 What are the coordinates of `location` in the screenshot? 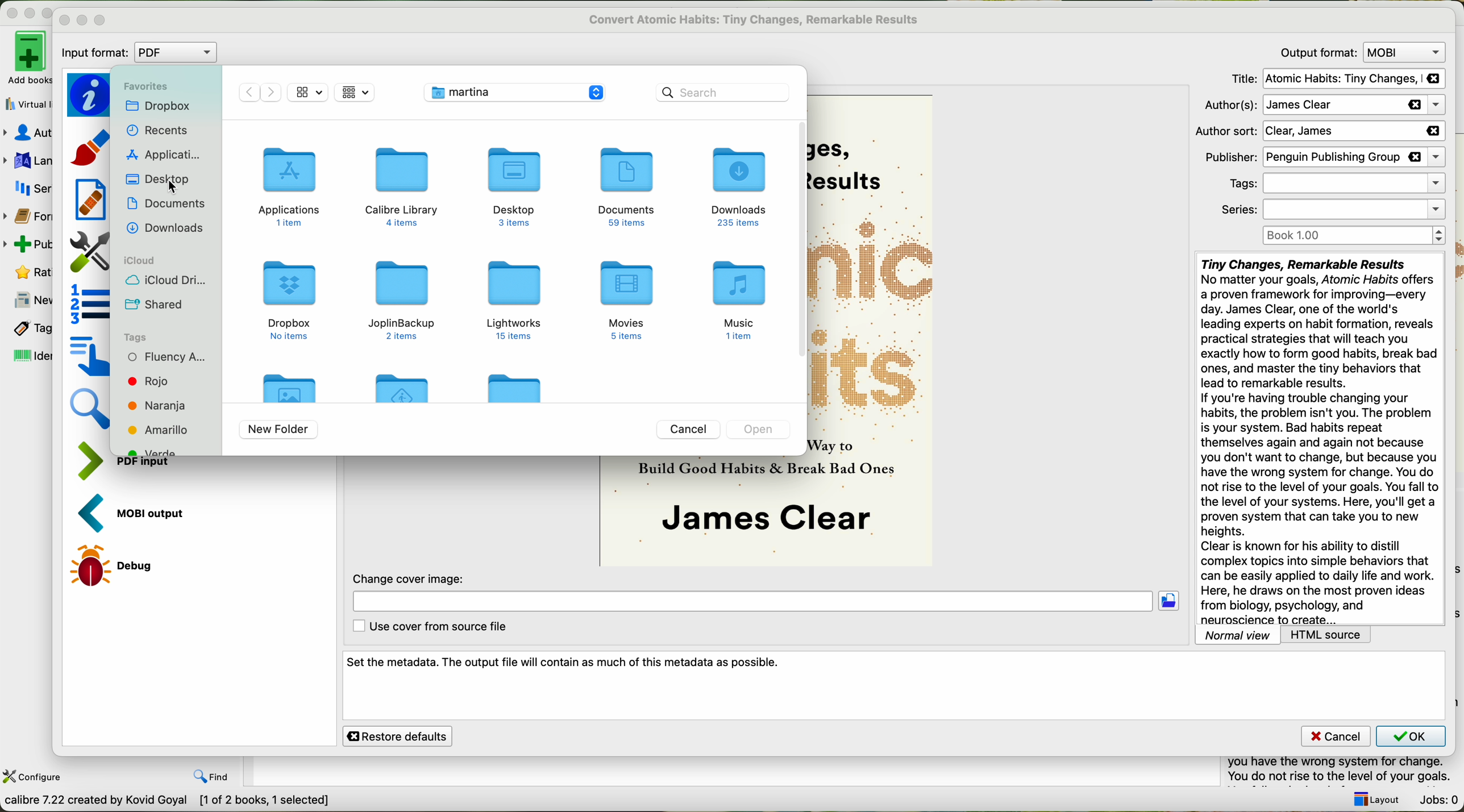 It's located at (751, 603).